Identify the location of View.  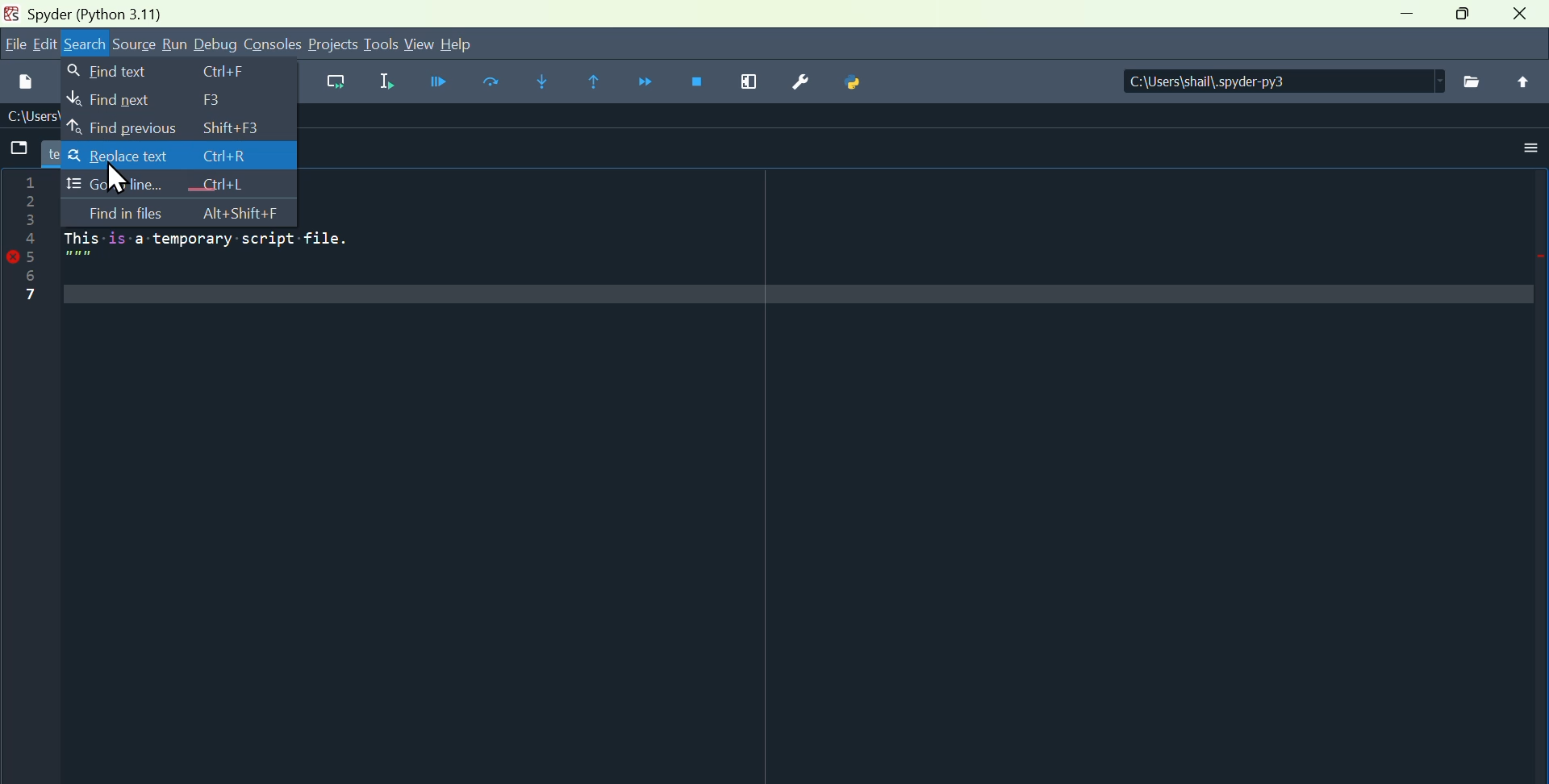
(419, 45).